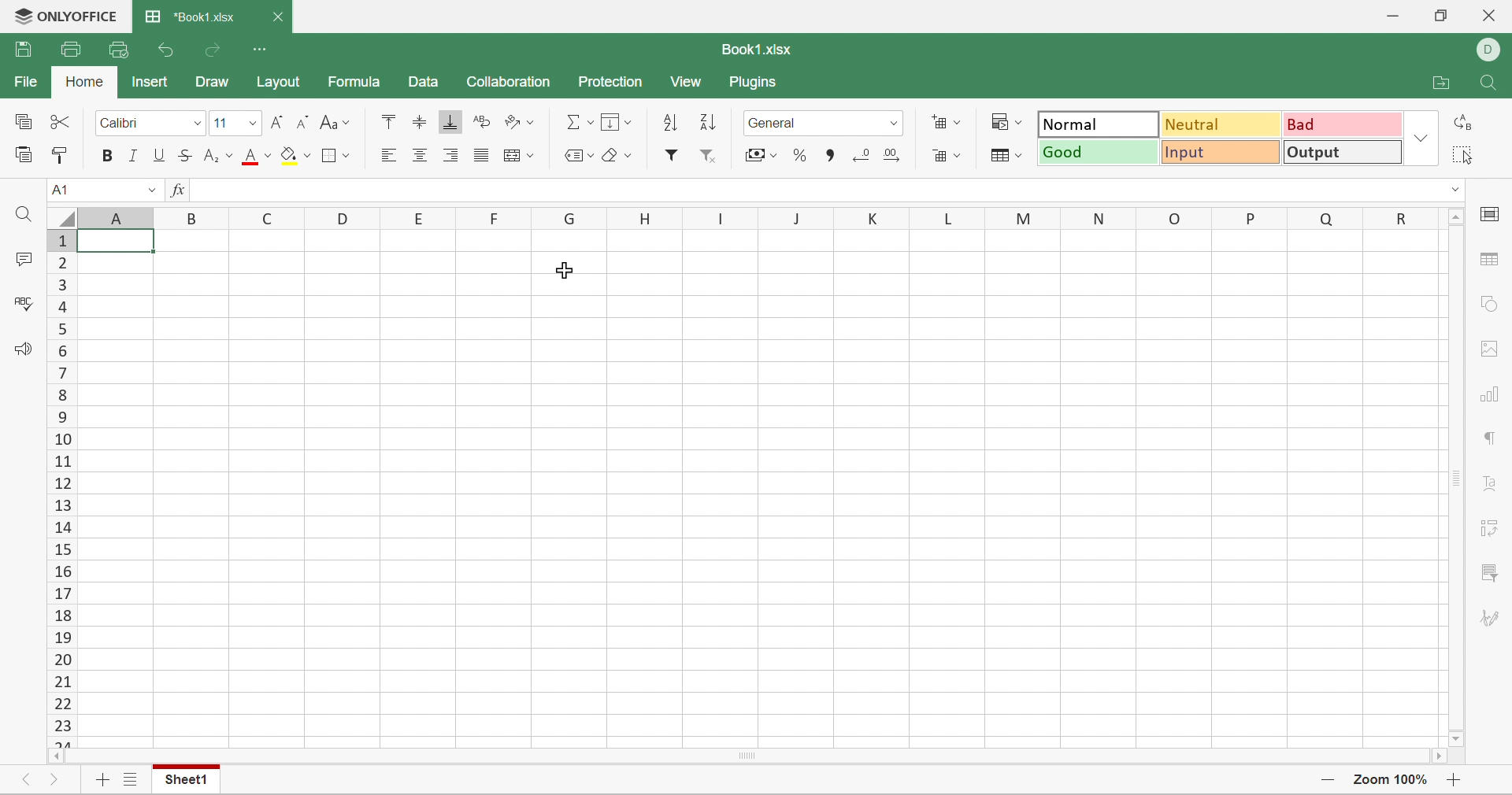  I want to click on Formula, so click(353, 82).